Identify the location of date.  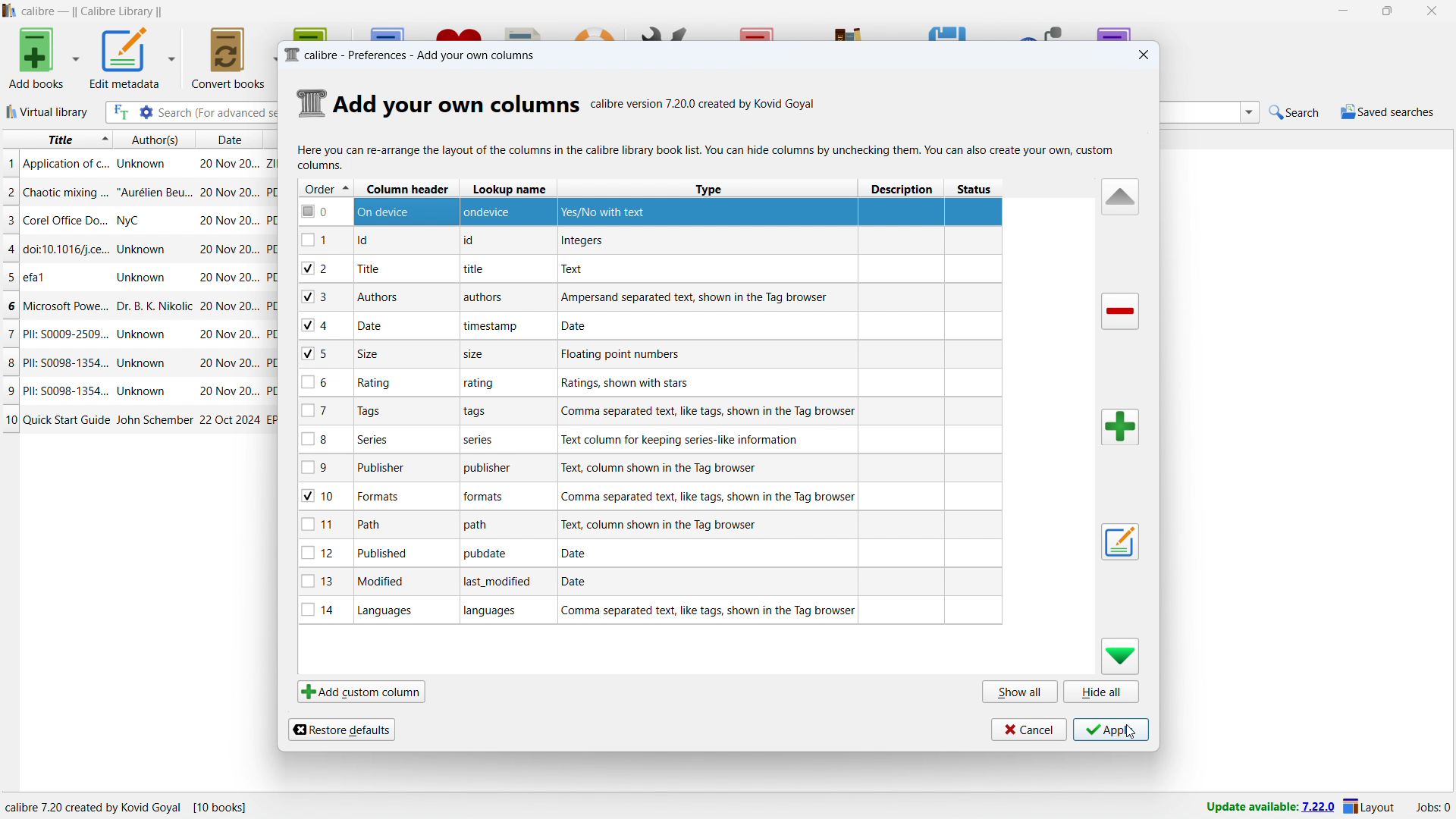
(229, 249).